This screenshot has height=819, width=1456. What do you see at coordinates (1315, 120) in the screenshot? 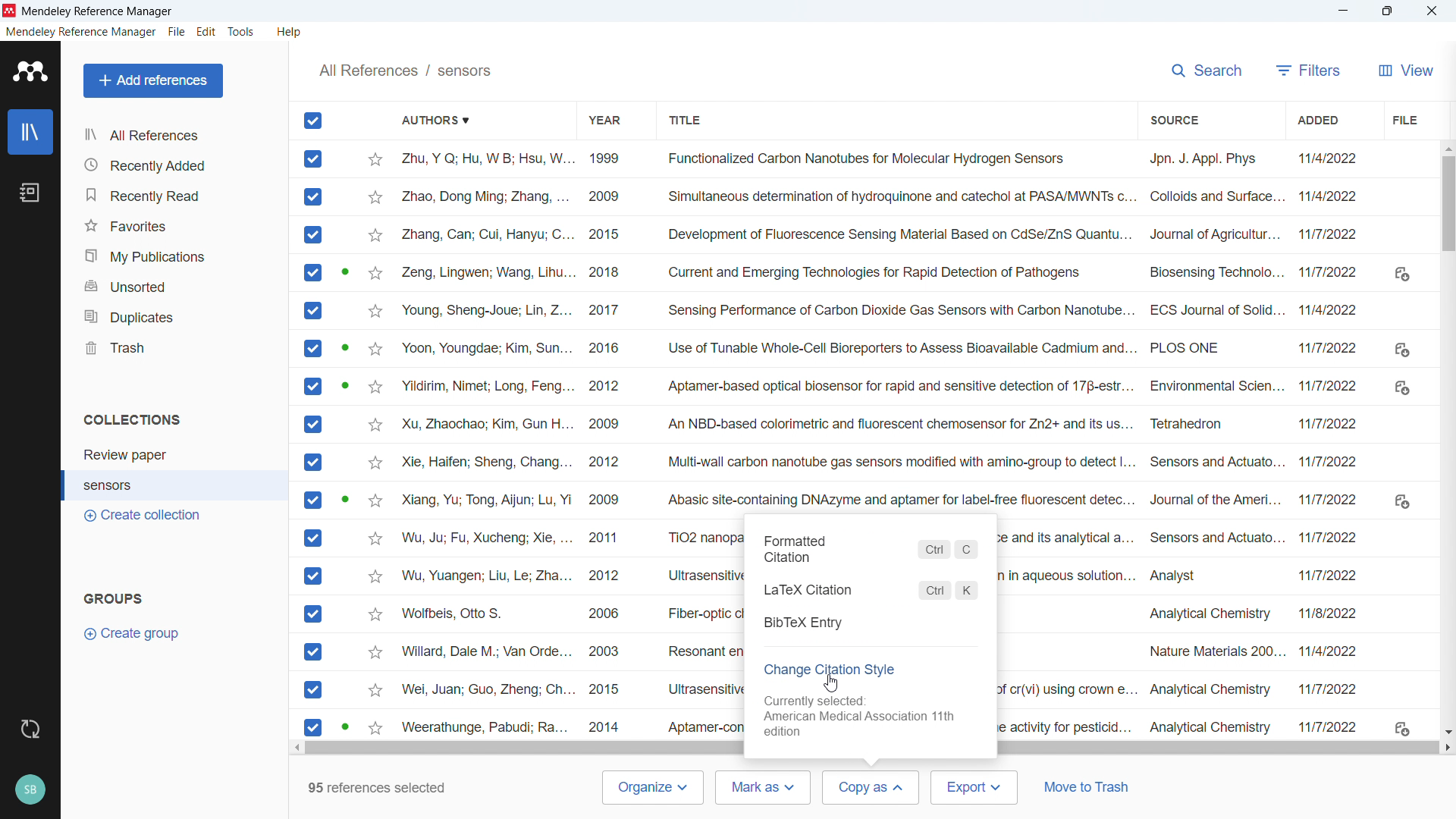
I see `Sort by date added` at bounding box center [1315, 120].